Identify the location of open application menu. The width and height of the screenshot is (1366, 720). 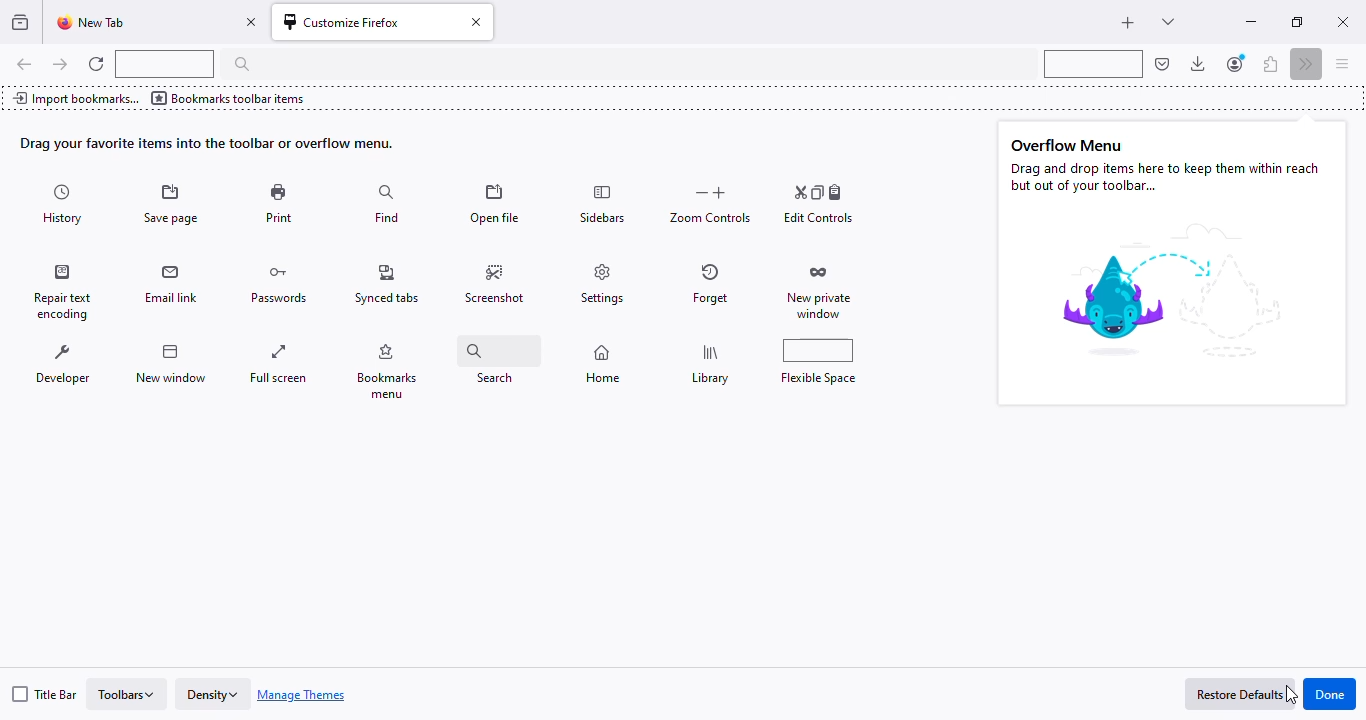
(1343, 63).